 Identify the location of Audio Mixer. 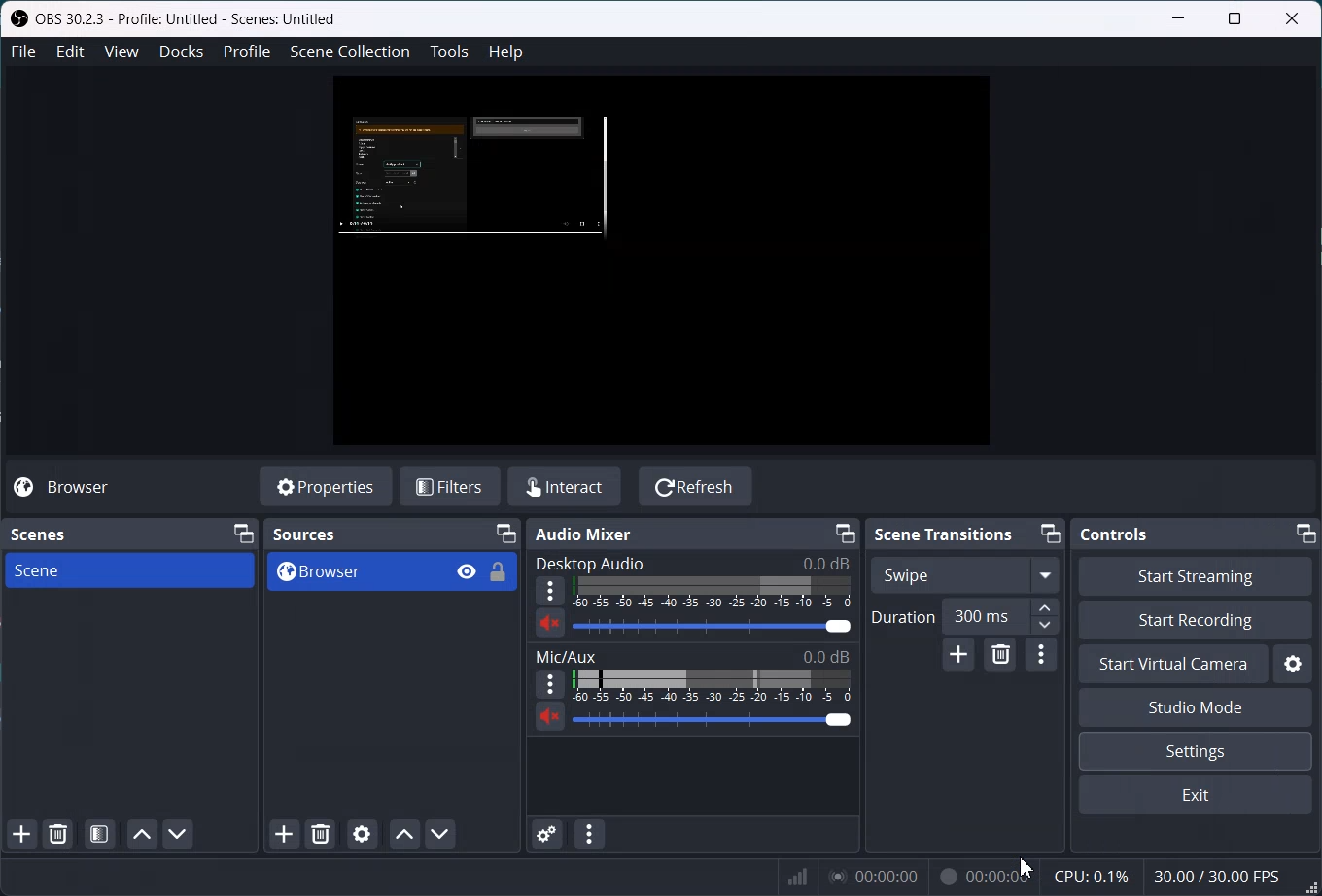
(585, 534).